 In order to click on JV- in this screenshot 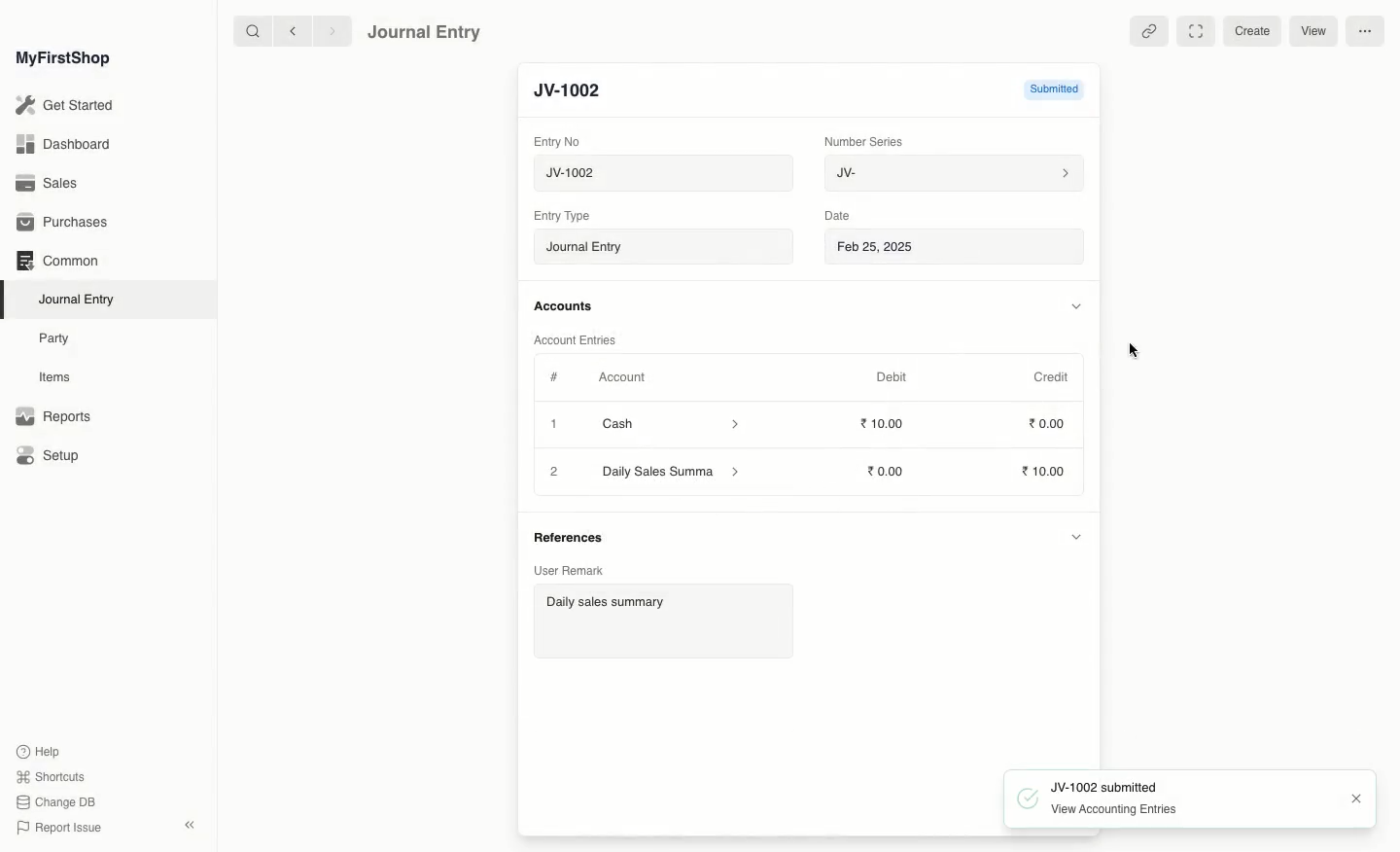, I will do `click(952, 173)`.